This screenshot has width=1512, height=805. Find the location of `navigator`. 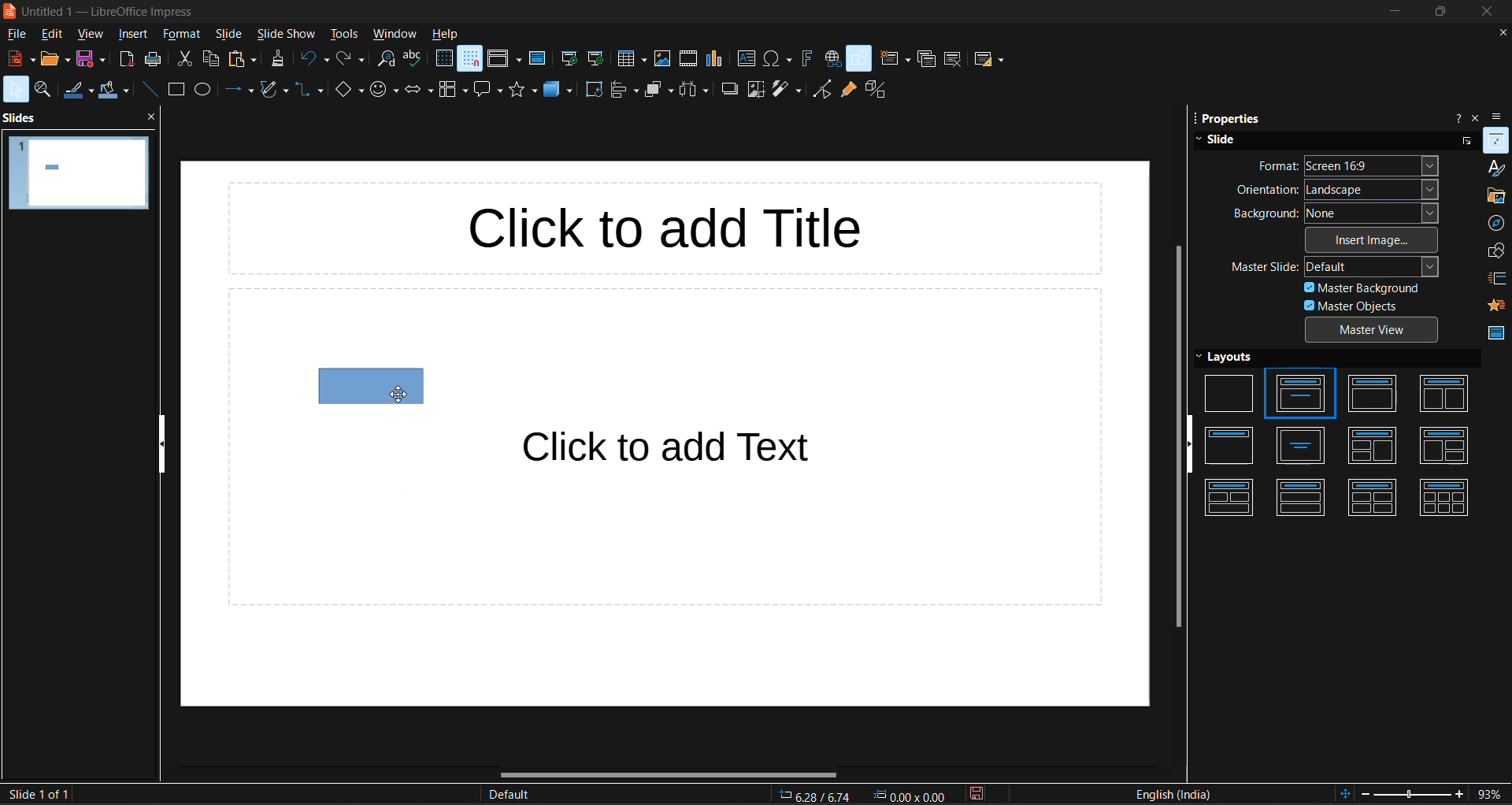

navigator is located at coordinates (1497, 223).